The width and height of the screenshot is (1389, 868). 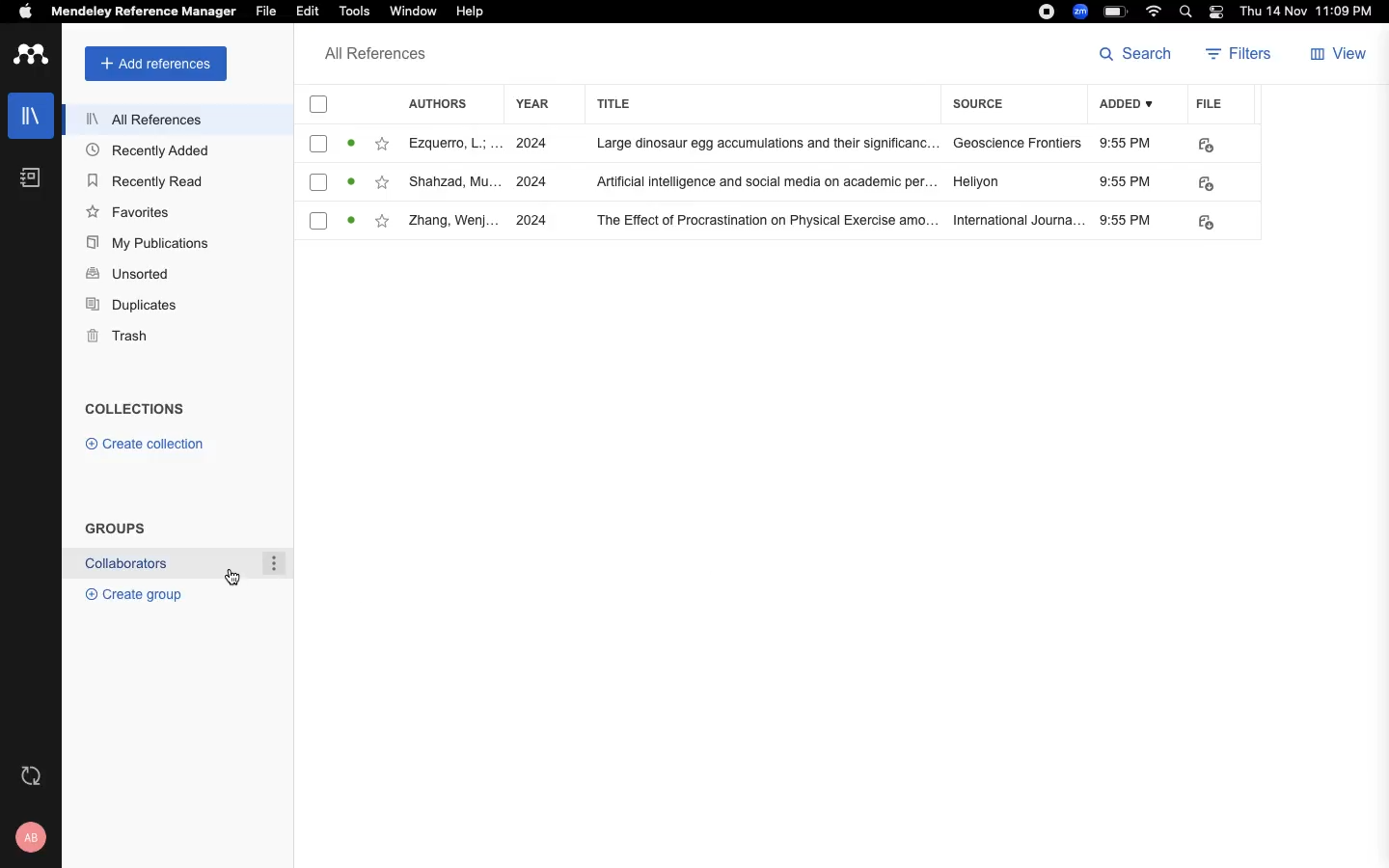 I want to click on view, so click(x=1342, y=56).